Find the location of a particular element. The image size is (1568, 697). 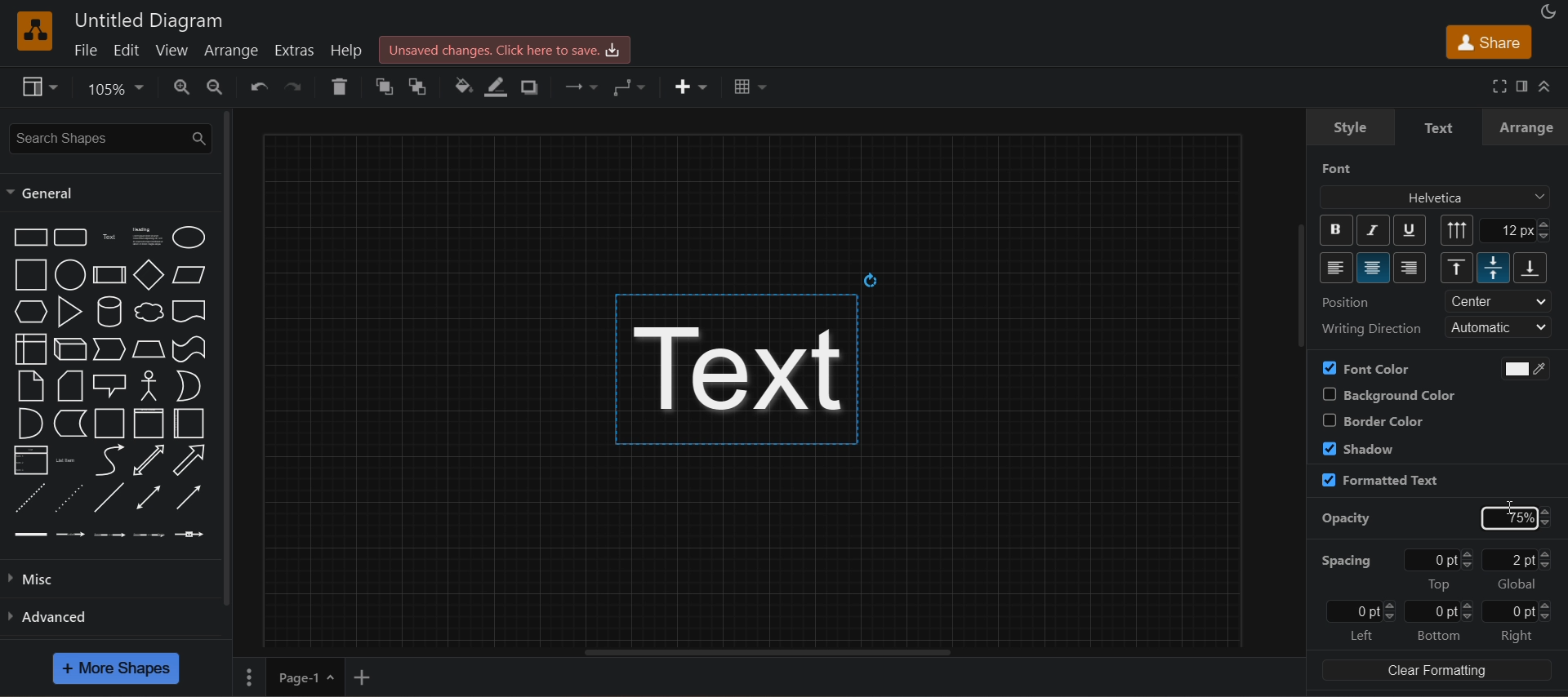

bidirectional arrow is located at coordinates (149, 460).